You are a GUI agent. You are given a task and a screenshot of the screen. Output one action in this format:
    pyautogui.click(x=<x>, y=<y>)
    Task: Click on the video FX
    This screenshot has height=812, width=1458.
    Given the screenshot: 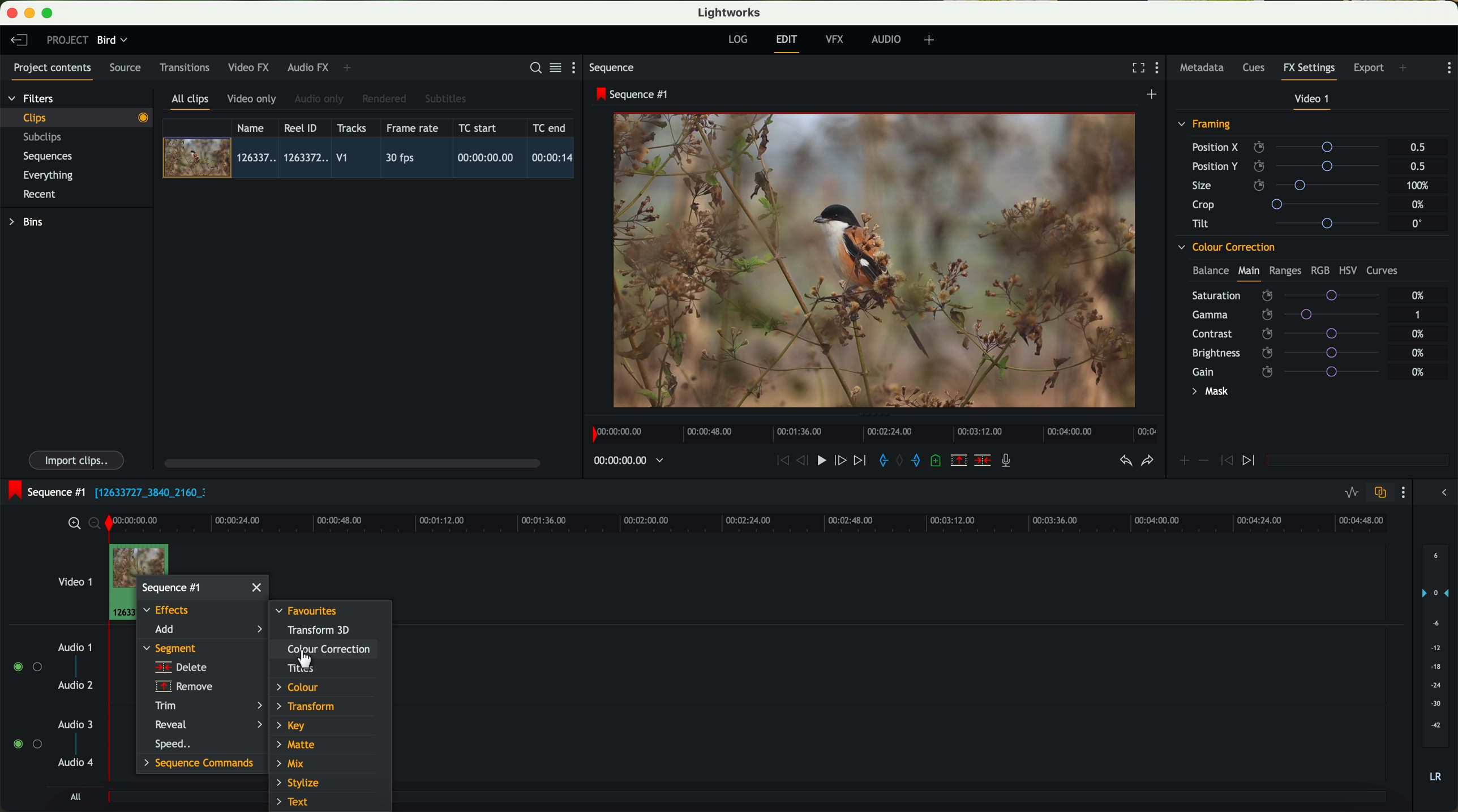 What is the action you would take?
    pyautogui.click(x=251, y=67)
    